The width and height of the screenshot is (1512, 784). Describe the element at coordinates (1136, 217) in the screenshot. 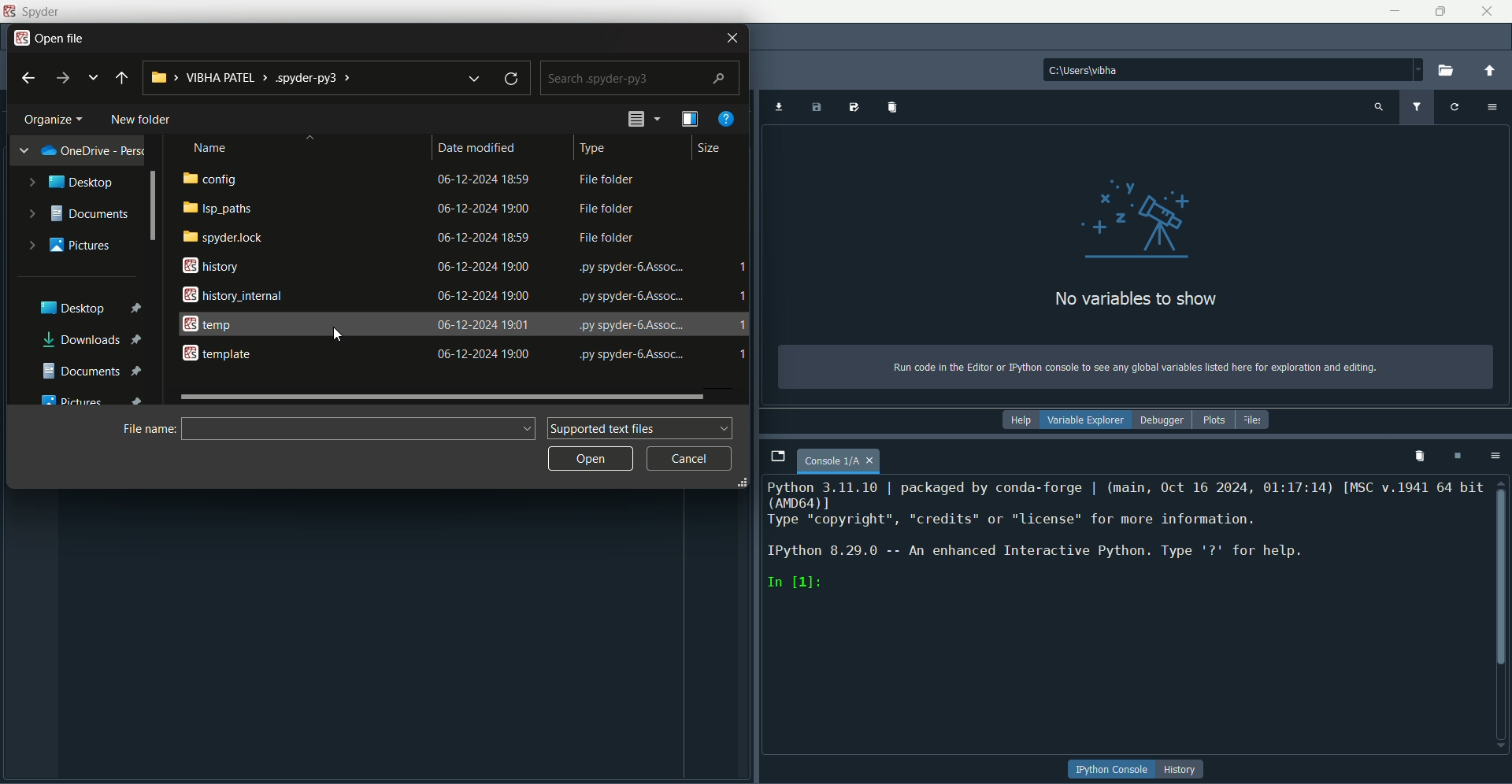

I see `graphics` at that location.